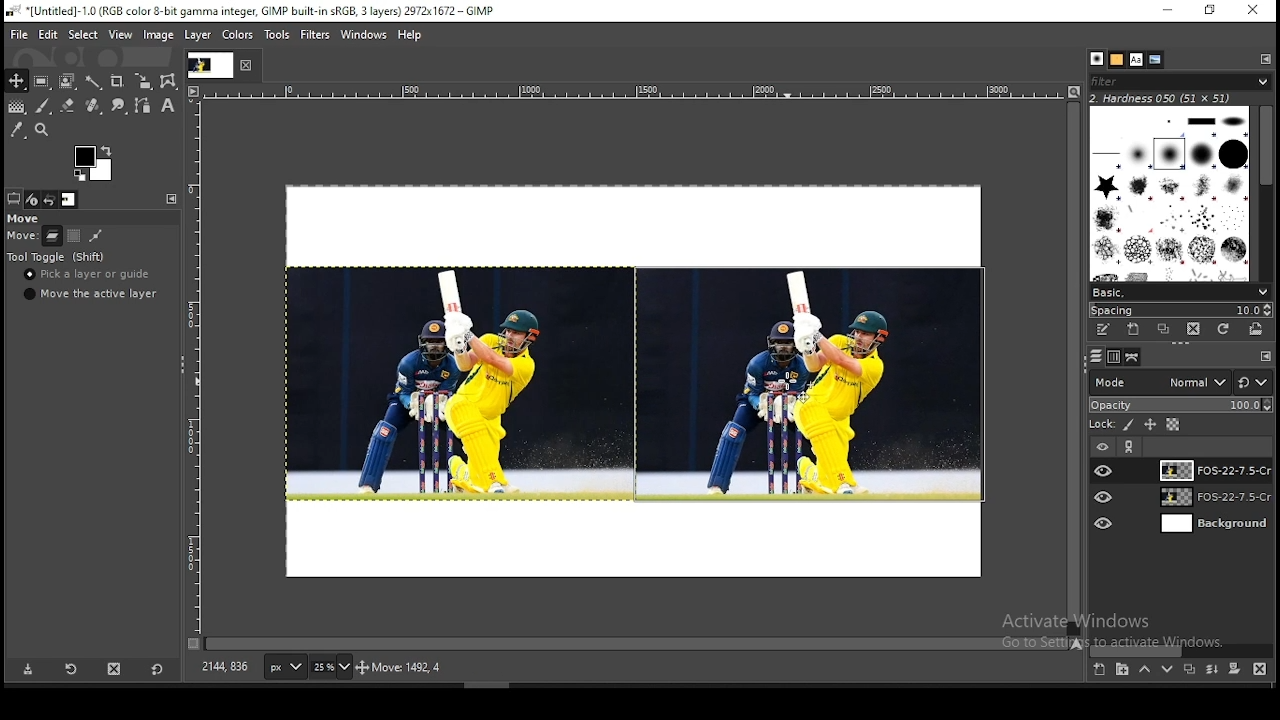 This screenshot has width=1280, height=720. What do you see at coordinates (68, 79) in the screenshot?
I see `foreground select tool` at bounding box center [68, 79].